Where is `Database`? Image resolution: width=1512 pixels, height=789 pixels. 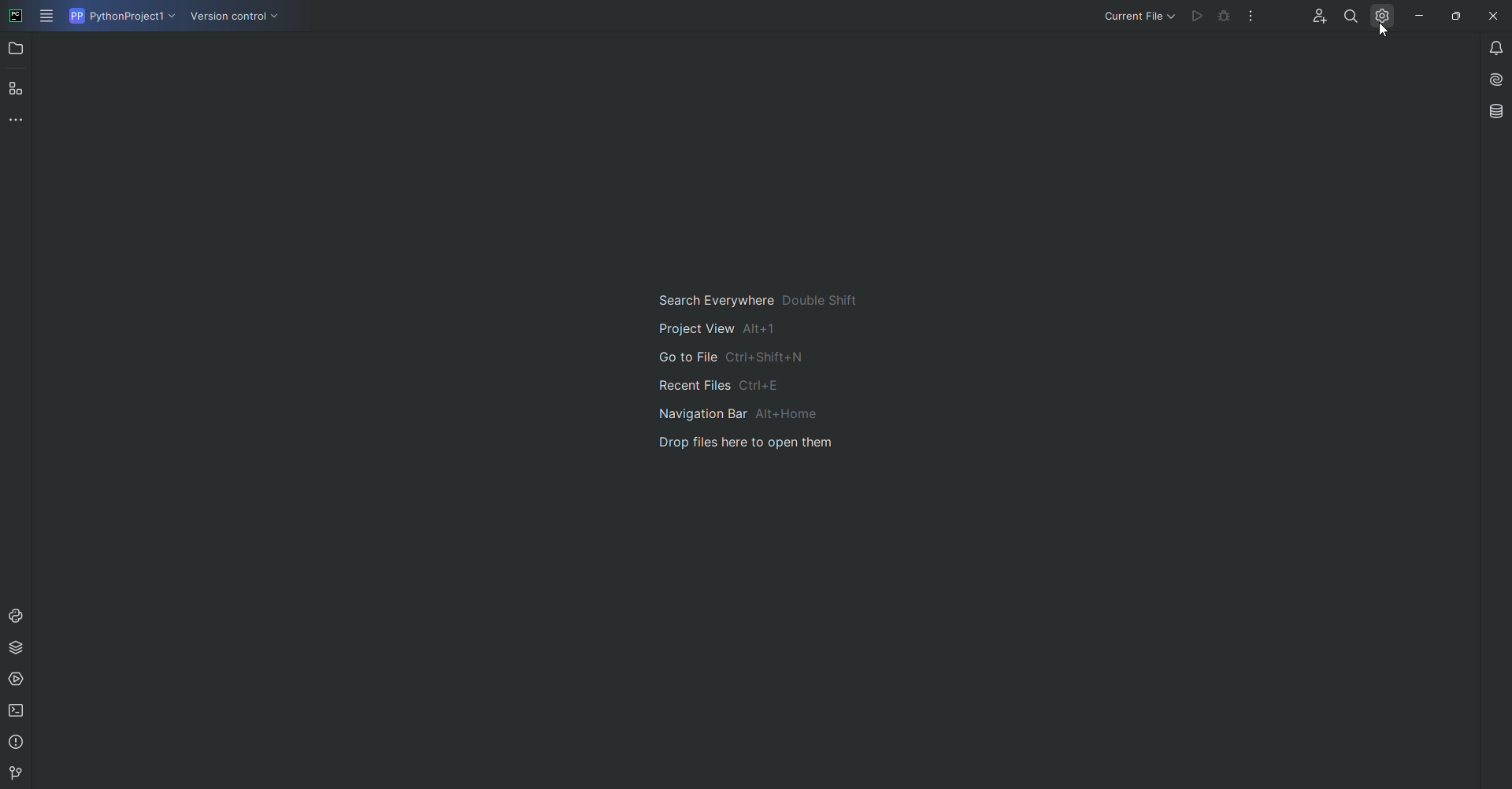 Database is located at coordinates (1495, 111).